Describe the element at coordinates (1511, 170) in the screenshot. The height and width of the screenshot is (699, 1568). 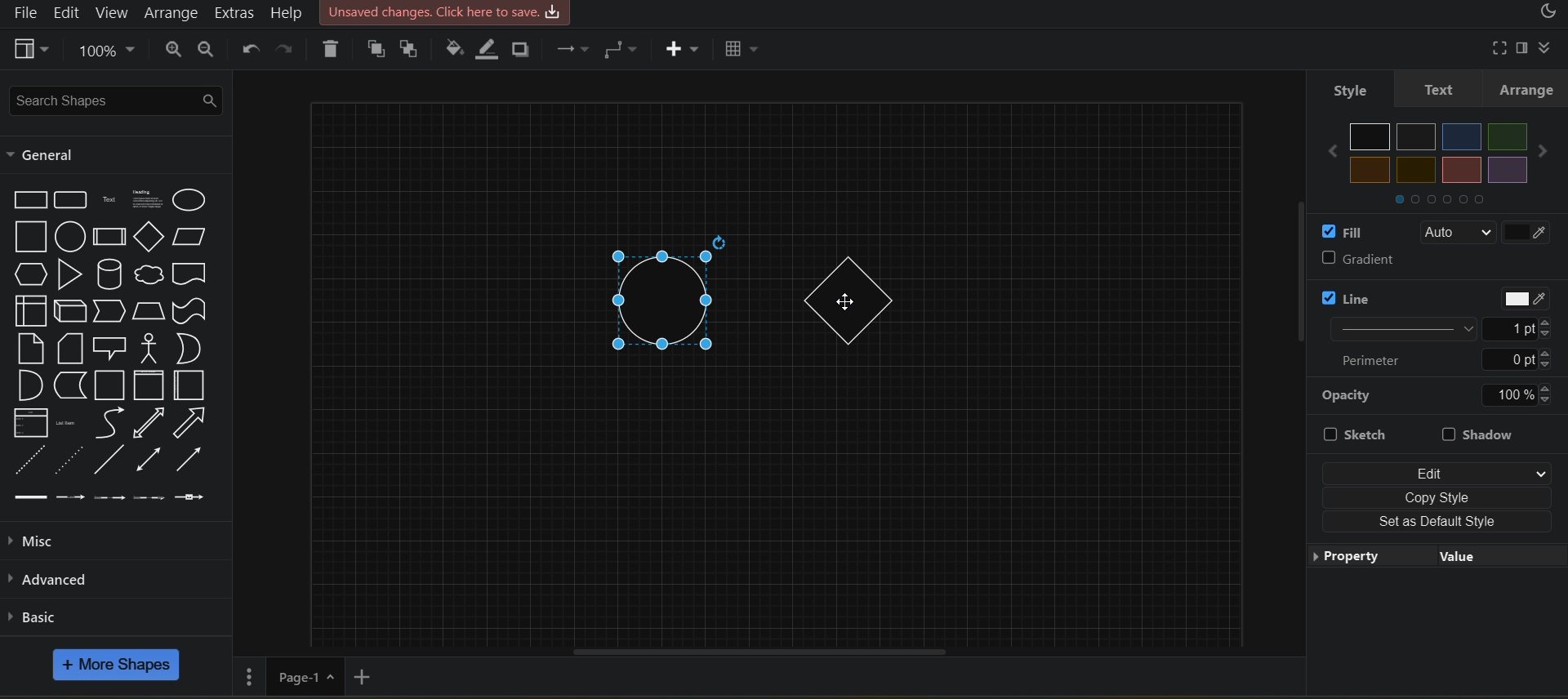
I see `` at that location.